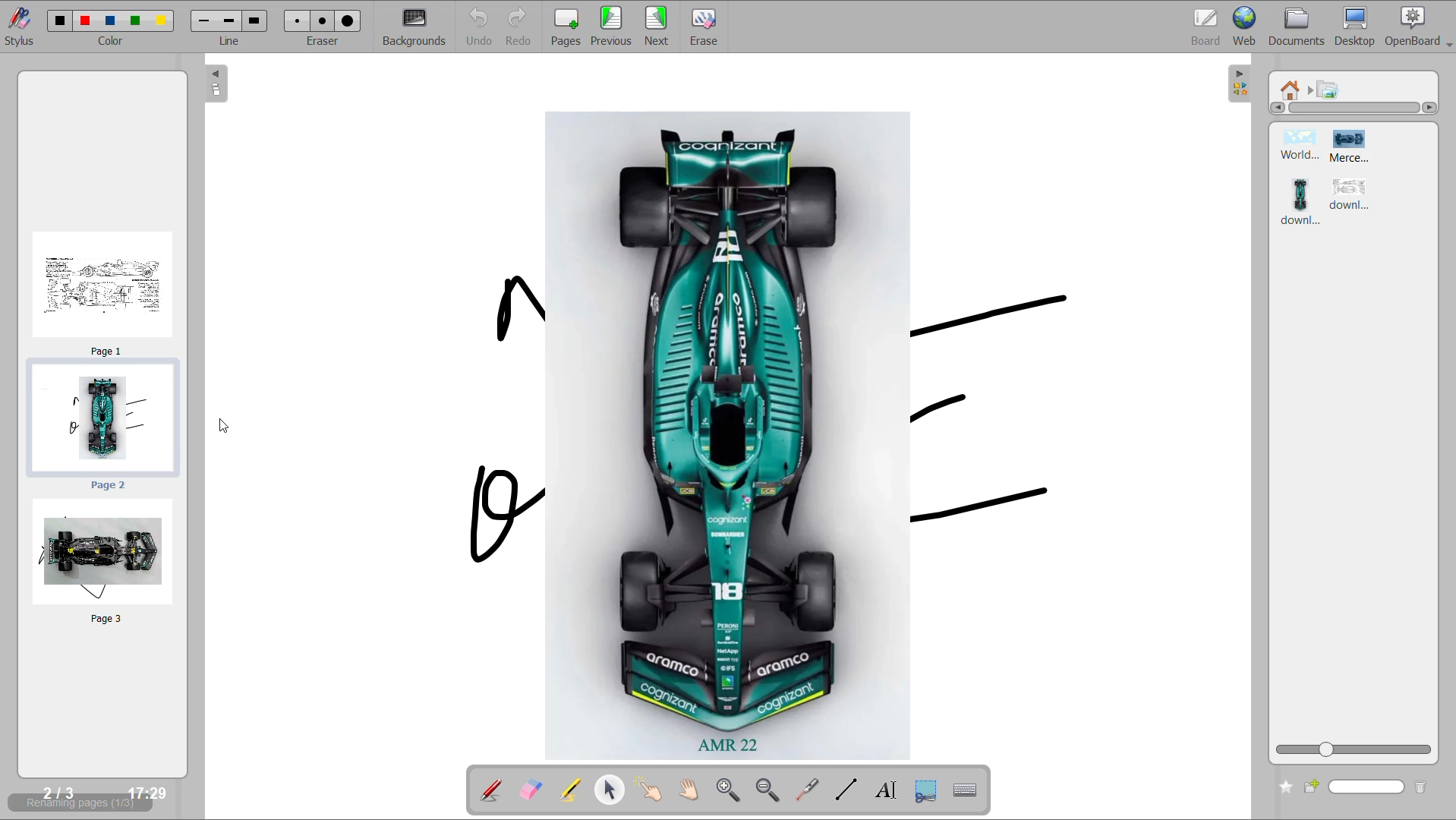 The width and height of the screenshot is (1456, 820). What do you see at coordinates (1301, 202) in the screenshot?
I see `image 3` at bounding box center [1301, 202].